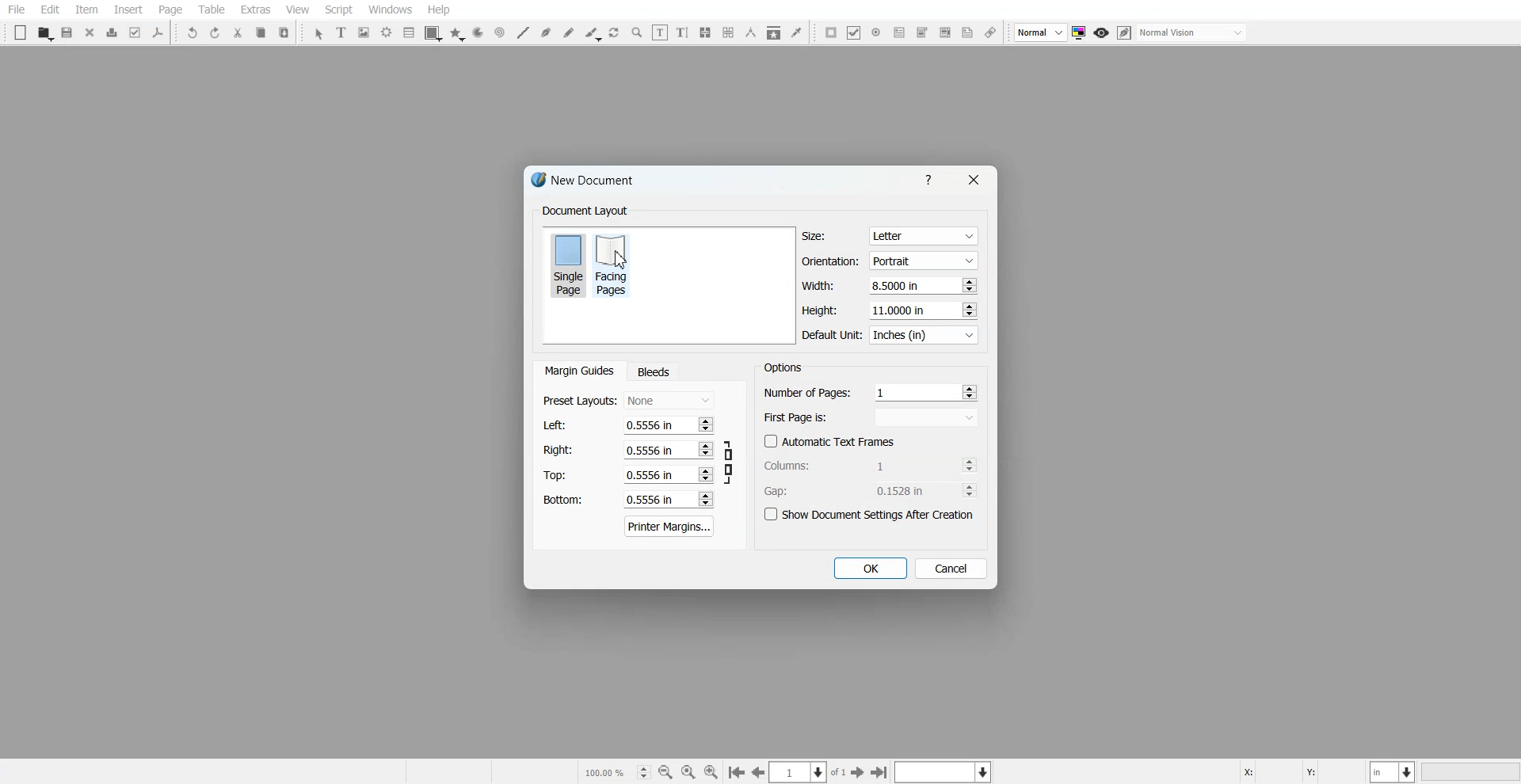 The image size is (1521, 784). What do you see at coordinates (891, 336) in the screenshot?
I see `Default Unit in Inches` at bounding box center [891, 336].